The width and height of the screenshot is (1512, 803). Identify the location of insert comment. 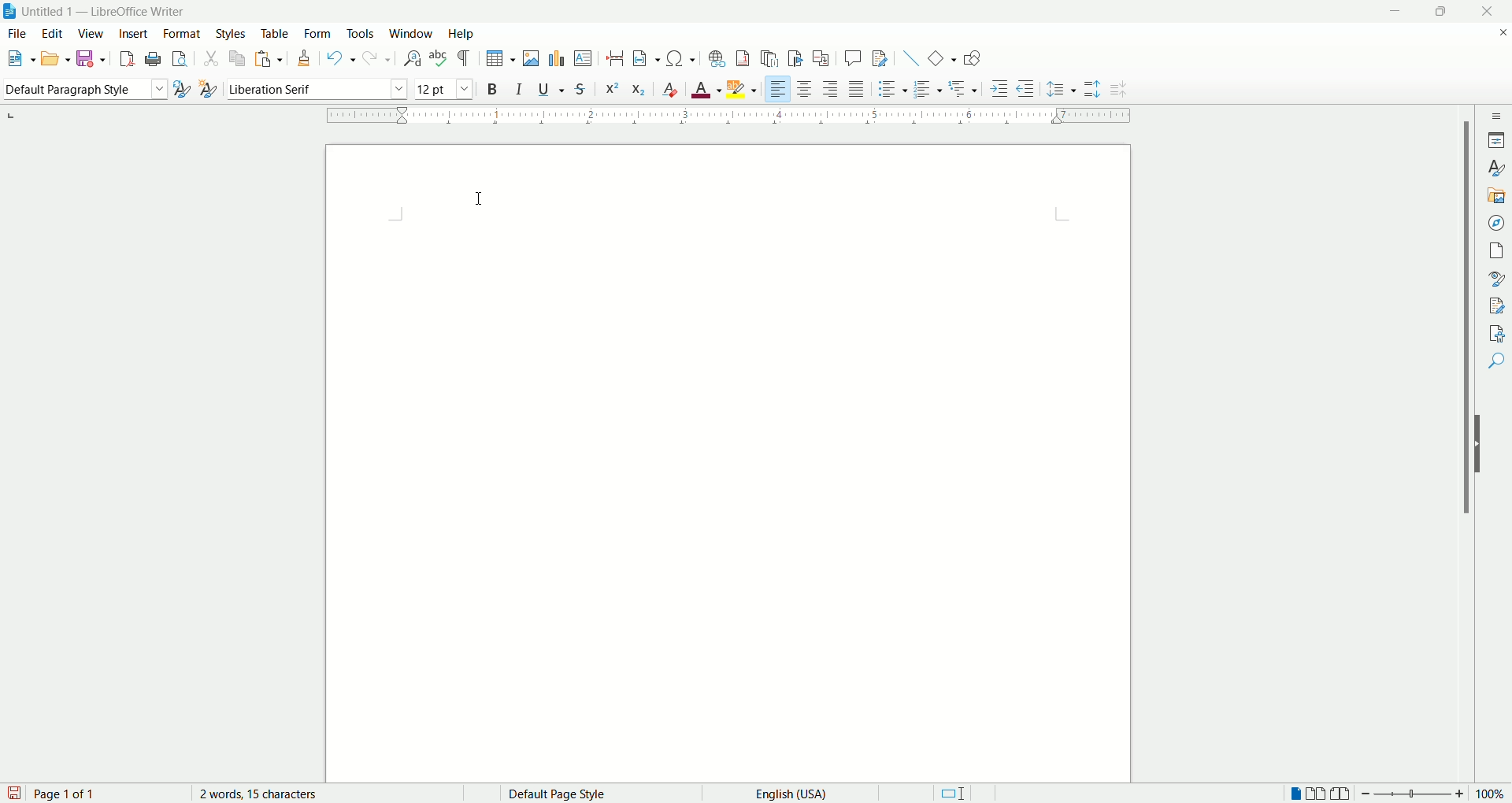
(854, 57).